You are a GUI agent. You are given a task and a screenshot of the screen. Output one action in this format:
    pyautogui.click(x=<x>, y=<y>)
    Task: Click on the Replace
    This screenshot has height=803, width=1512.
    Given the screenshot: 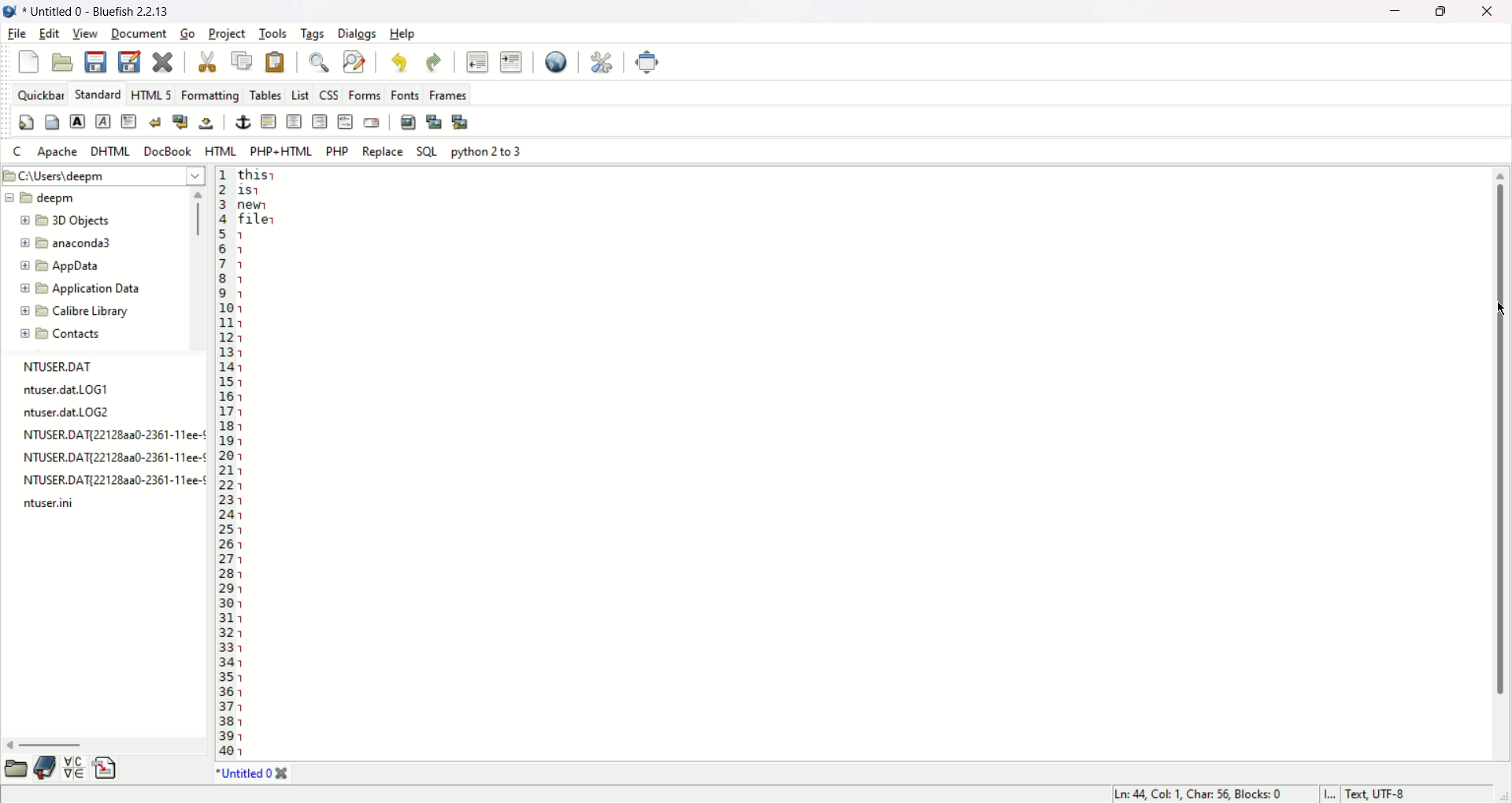 What is the action you would take?
    pyautogui.click(x=384, y=152)
    